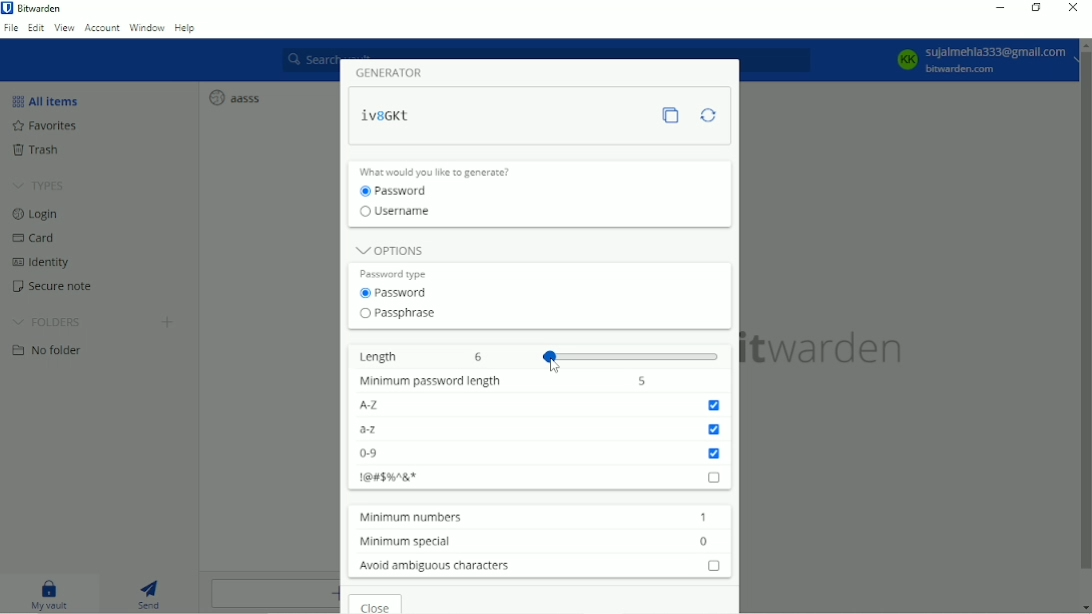  Describe the element at coordinates (1001, 7) in the screenshot. I see `Minimize` at that location.